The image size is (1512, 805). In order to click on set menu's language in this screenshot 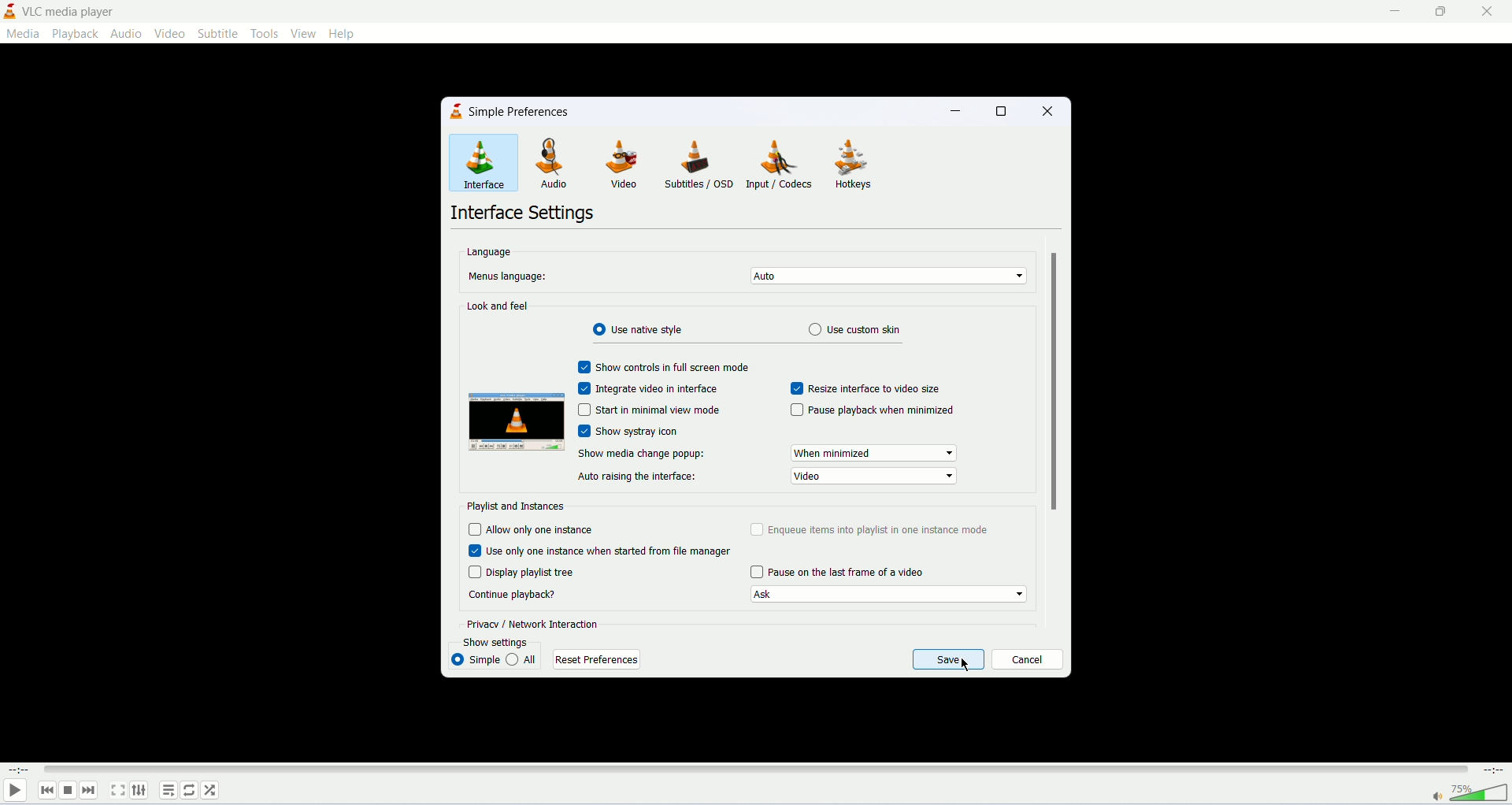, I will do `click(889, 276)`.